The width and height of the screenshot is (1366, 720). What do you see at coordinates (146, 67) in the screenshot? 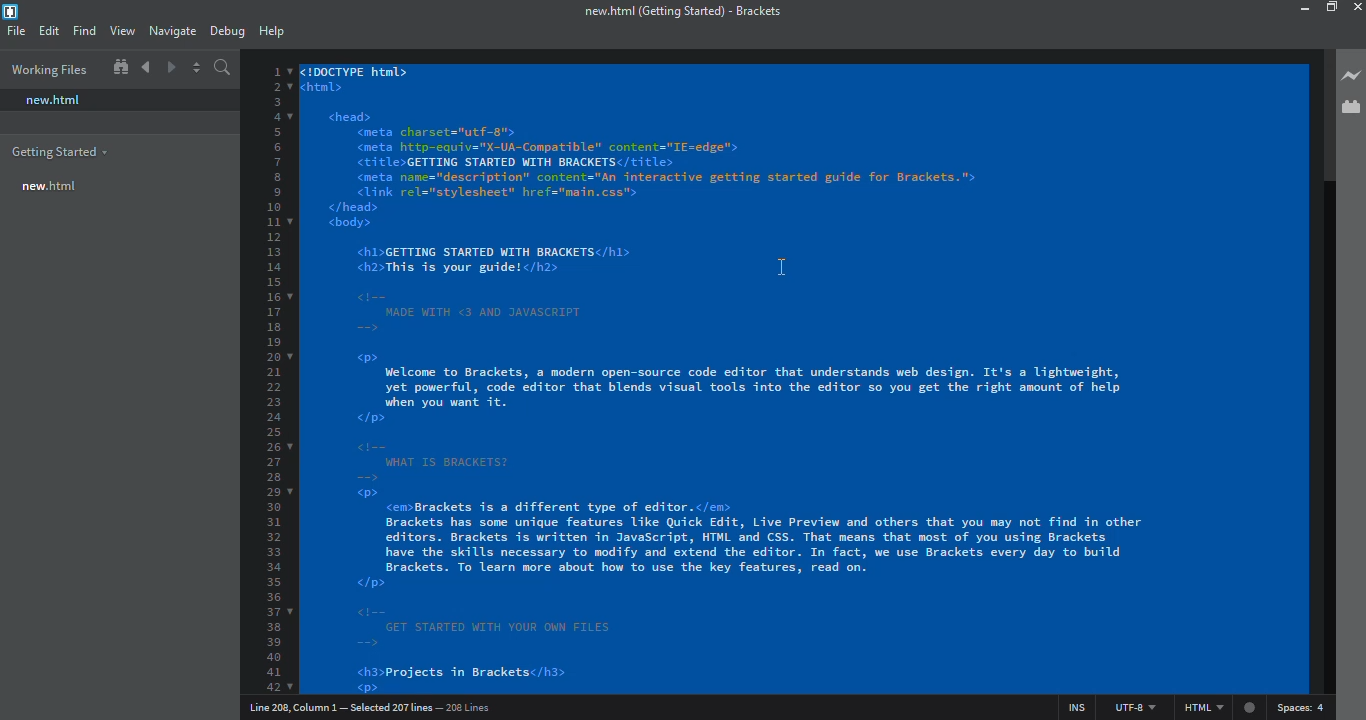
I see `navigate back` at bounding box center [146, 67].